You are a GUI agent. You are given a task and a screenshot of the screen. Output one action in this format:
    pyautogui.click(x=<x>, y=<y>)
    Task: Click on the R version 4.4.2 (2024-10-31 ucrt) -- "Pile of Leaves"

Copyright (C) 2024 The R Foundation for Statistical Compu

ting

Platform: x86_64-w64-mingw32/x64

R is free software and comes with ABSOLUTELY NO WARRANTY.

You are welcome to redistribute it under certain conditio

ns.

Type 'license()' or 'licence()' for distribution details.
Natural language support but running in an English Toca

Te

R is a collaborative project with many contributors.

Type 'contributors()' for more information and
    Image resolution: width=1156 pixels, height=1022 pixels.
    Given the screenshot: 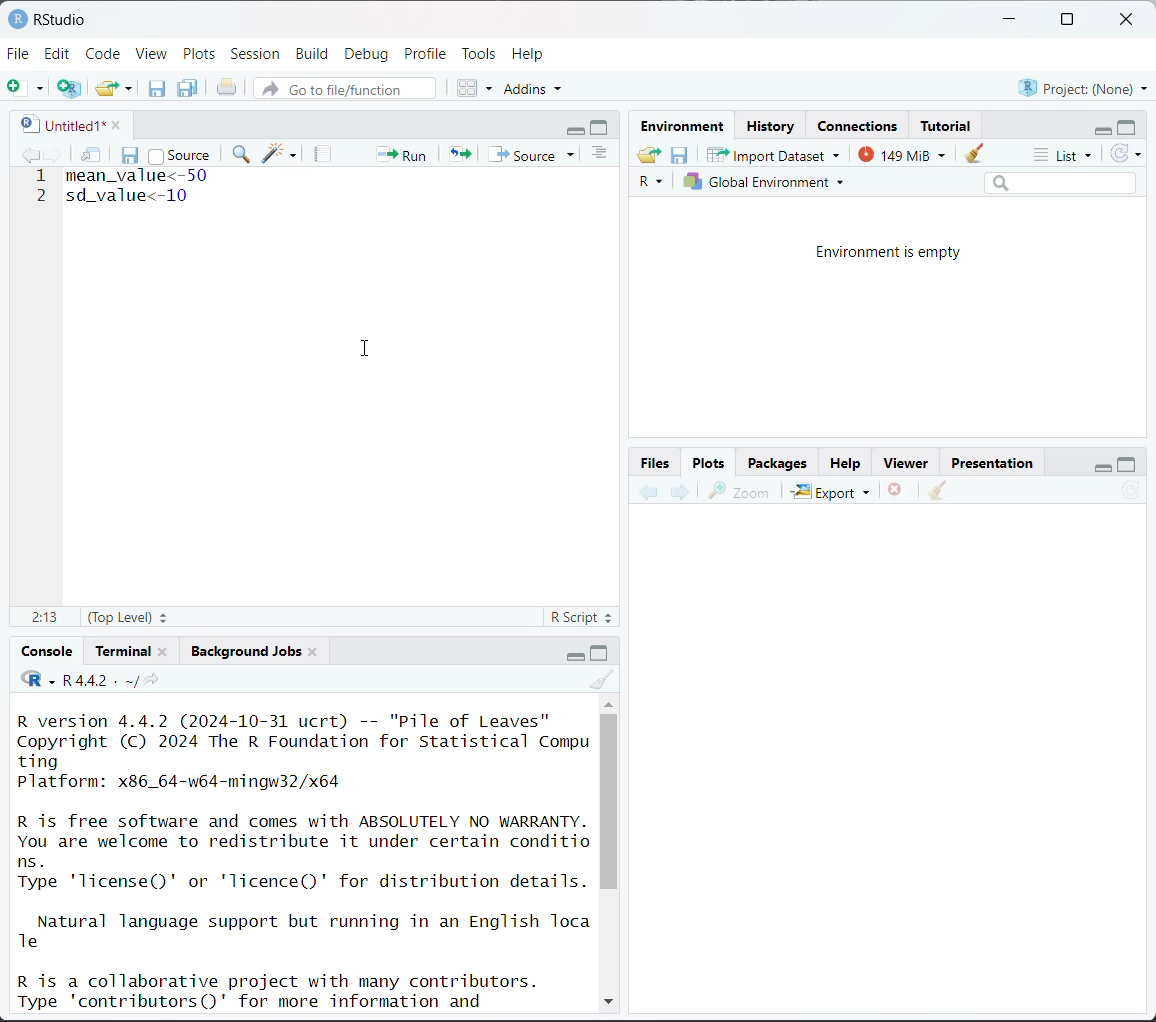 What is the action you would take?
    pyautogui.click(x=305, y=859)
    